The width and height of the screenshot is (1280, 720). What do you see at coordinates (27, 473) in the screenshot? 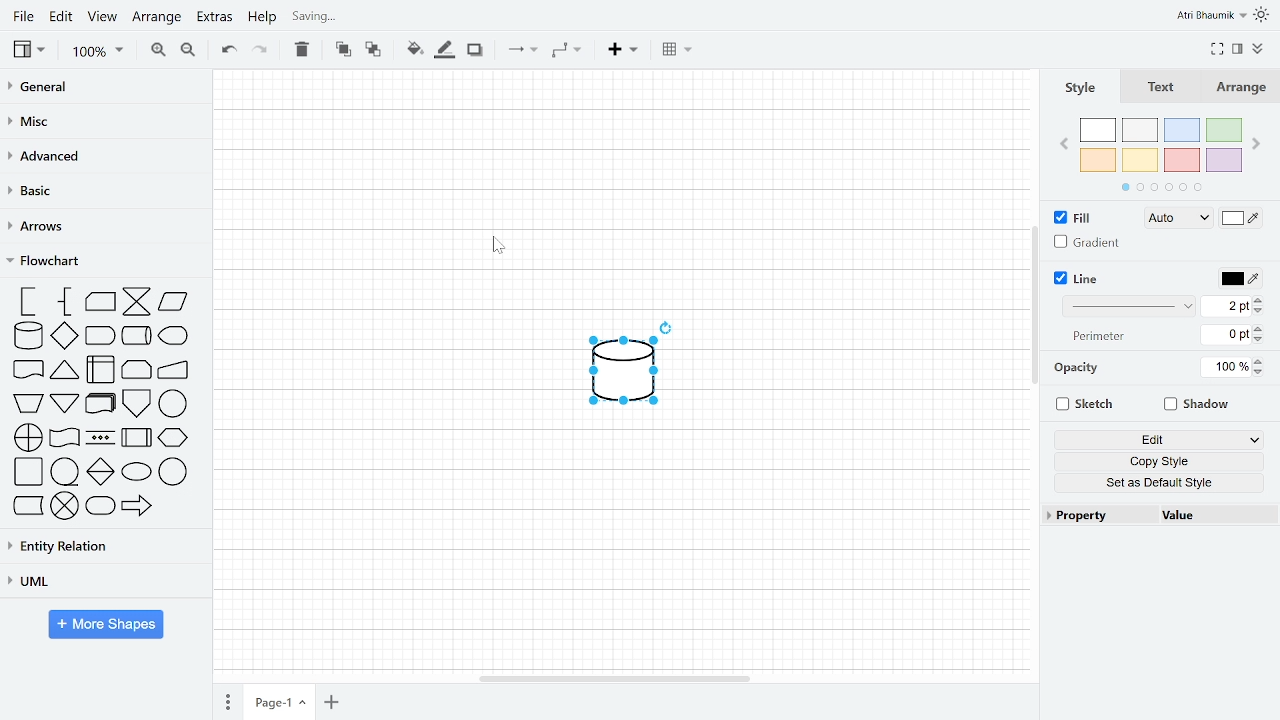
I see `process` at bounding box center [27, 473].